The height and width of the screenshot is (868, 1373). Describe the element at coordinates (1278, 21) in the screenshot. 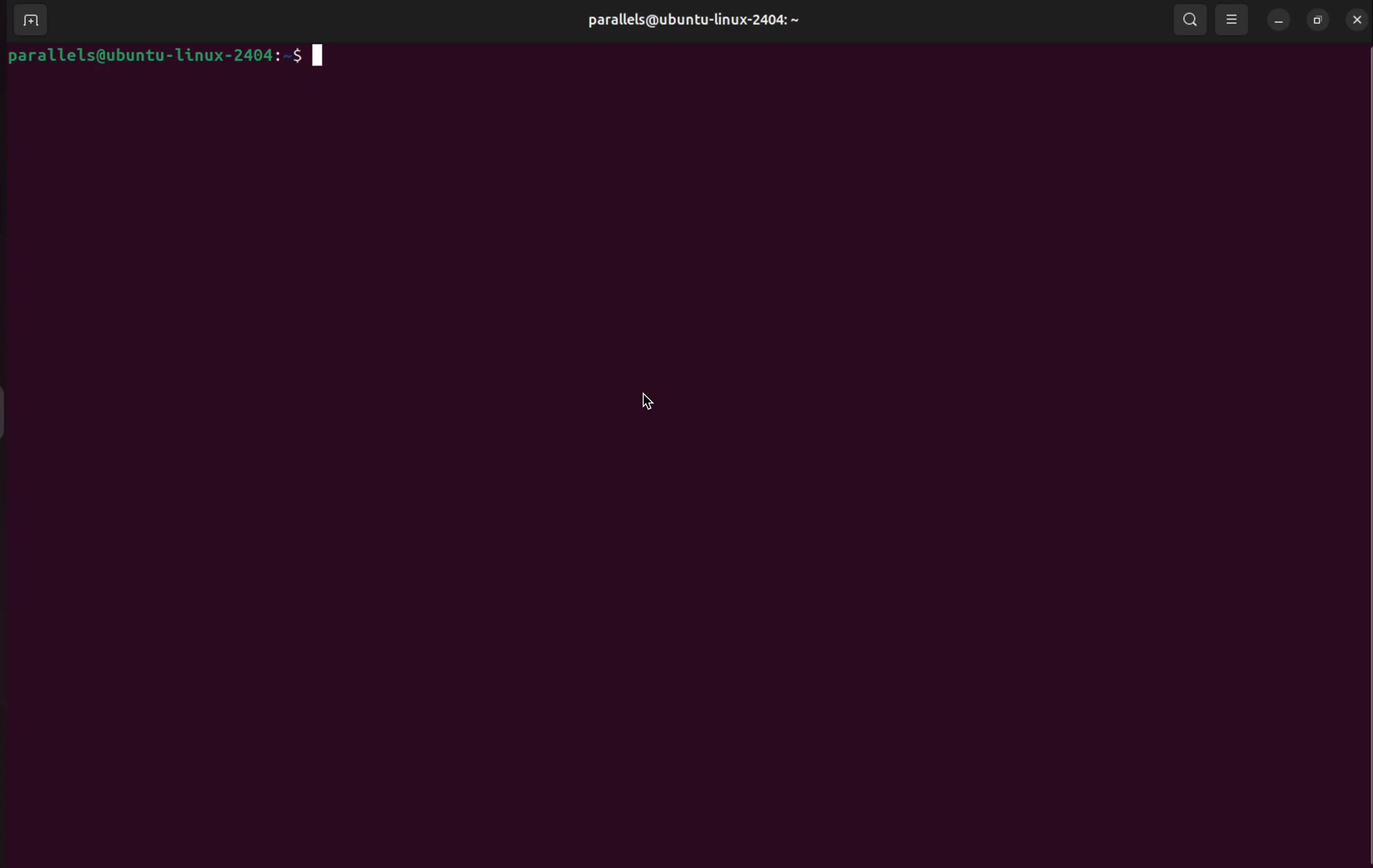

I see `minimize` at that location.